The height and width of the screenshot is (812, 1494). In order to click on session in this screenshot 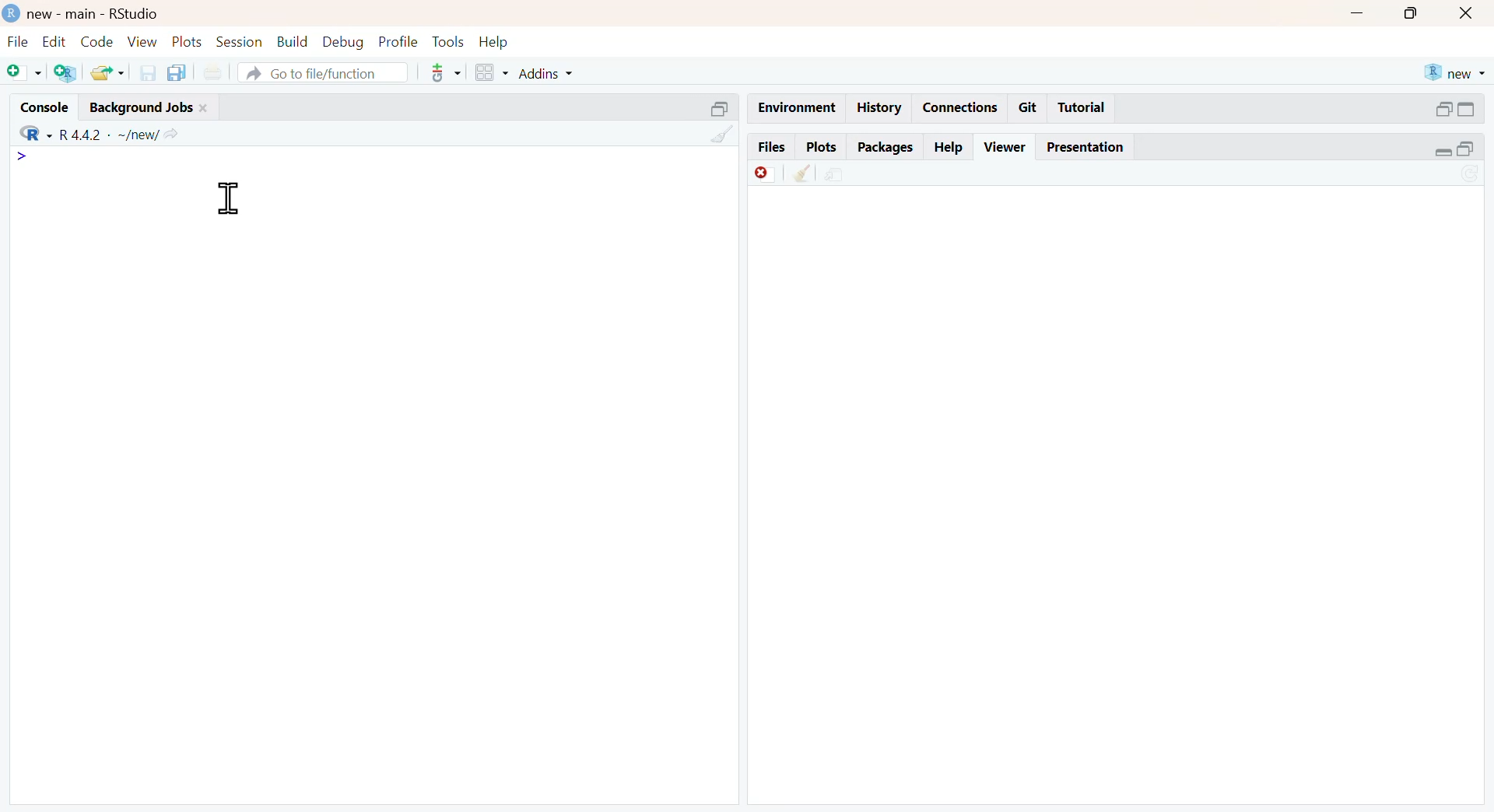, I will do `click(240, 42)`.